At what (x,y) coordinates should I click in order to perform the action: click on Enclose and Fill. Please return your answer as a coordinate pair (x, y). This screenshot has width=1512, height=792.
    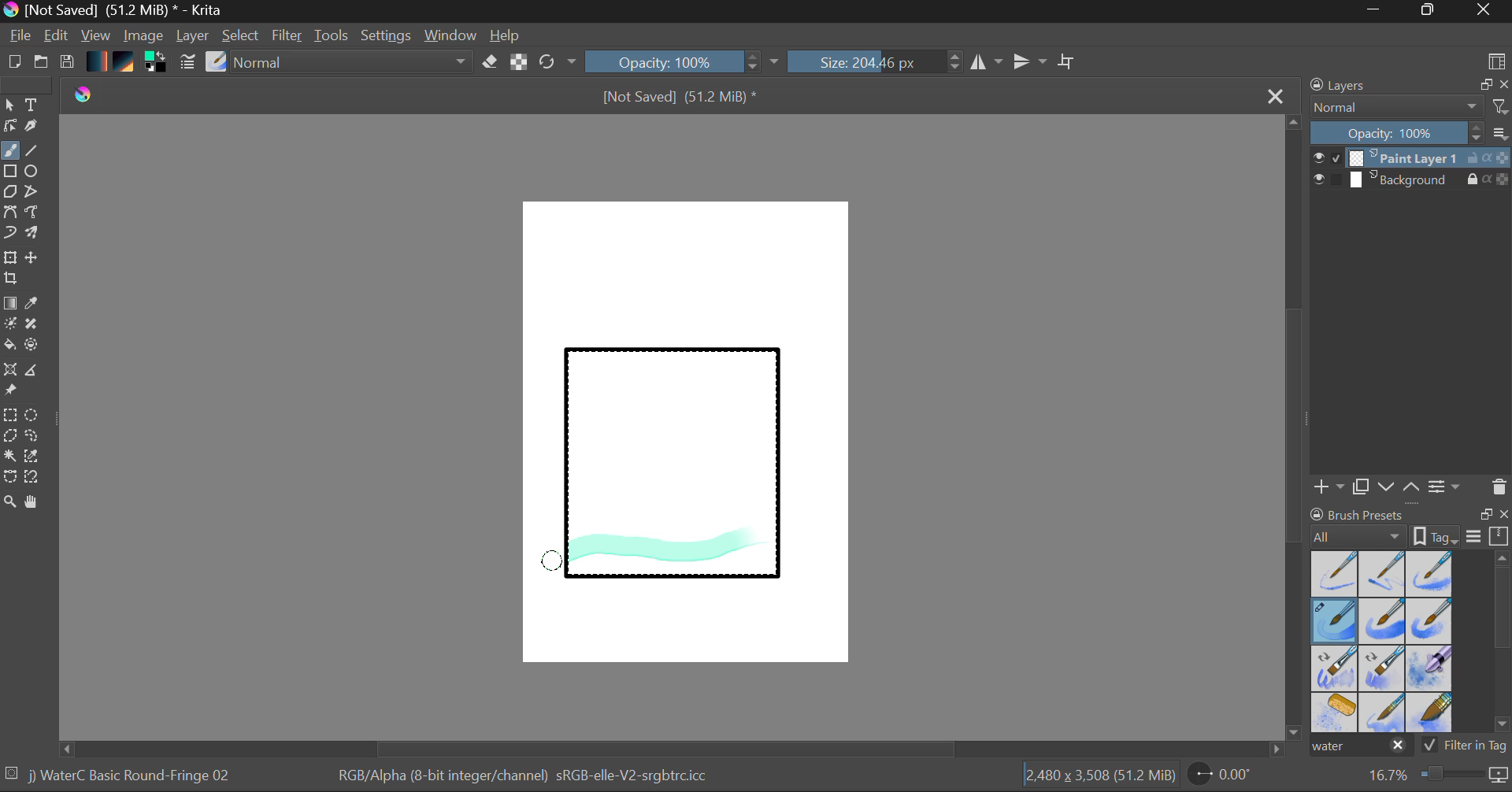
    Looking at the image, I should click on (35, 346).